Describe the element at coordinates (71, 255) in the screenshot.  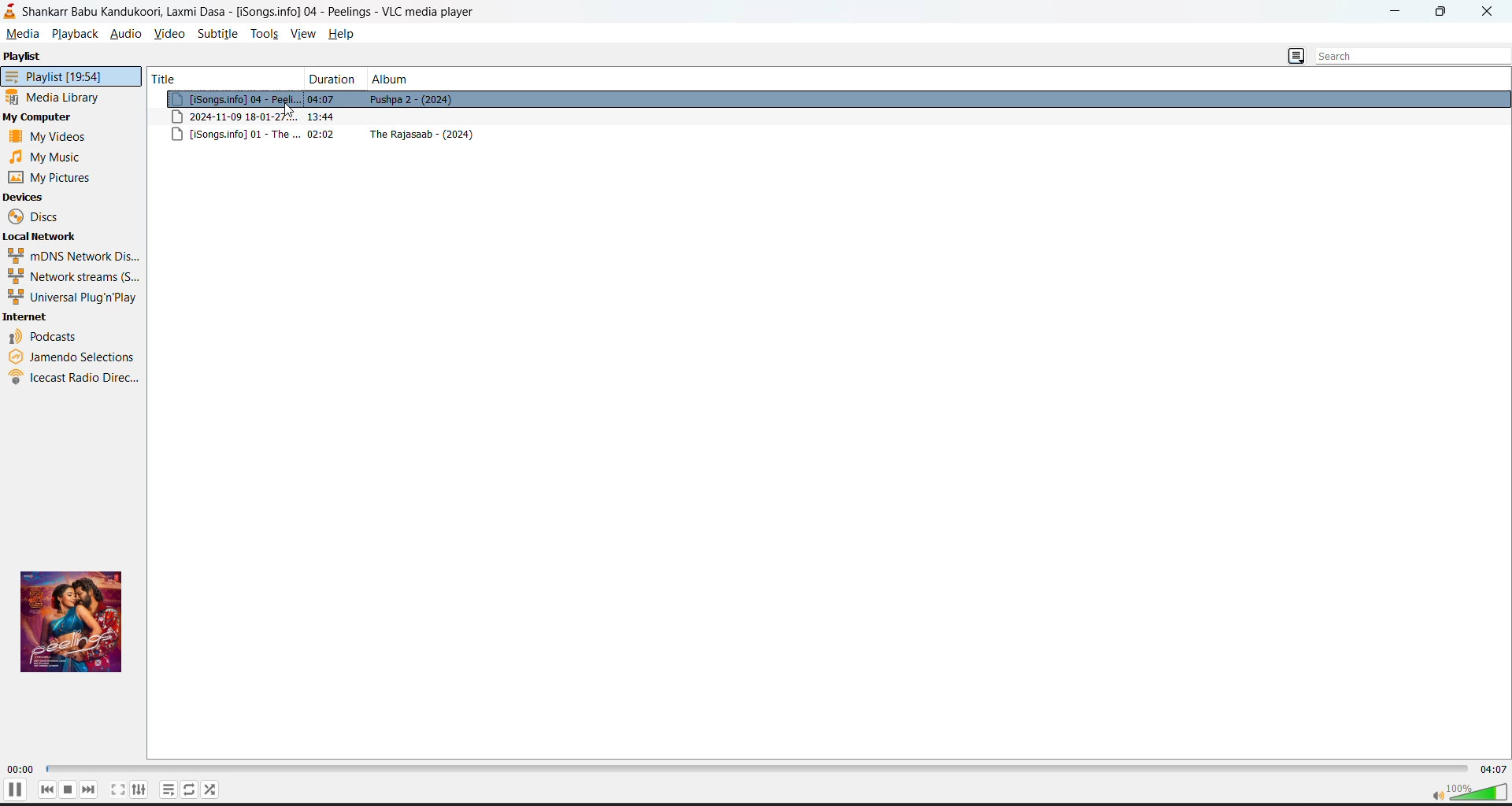
I see `dns network` at that location.